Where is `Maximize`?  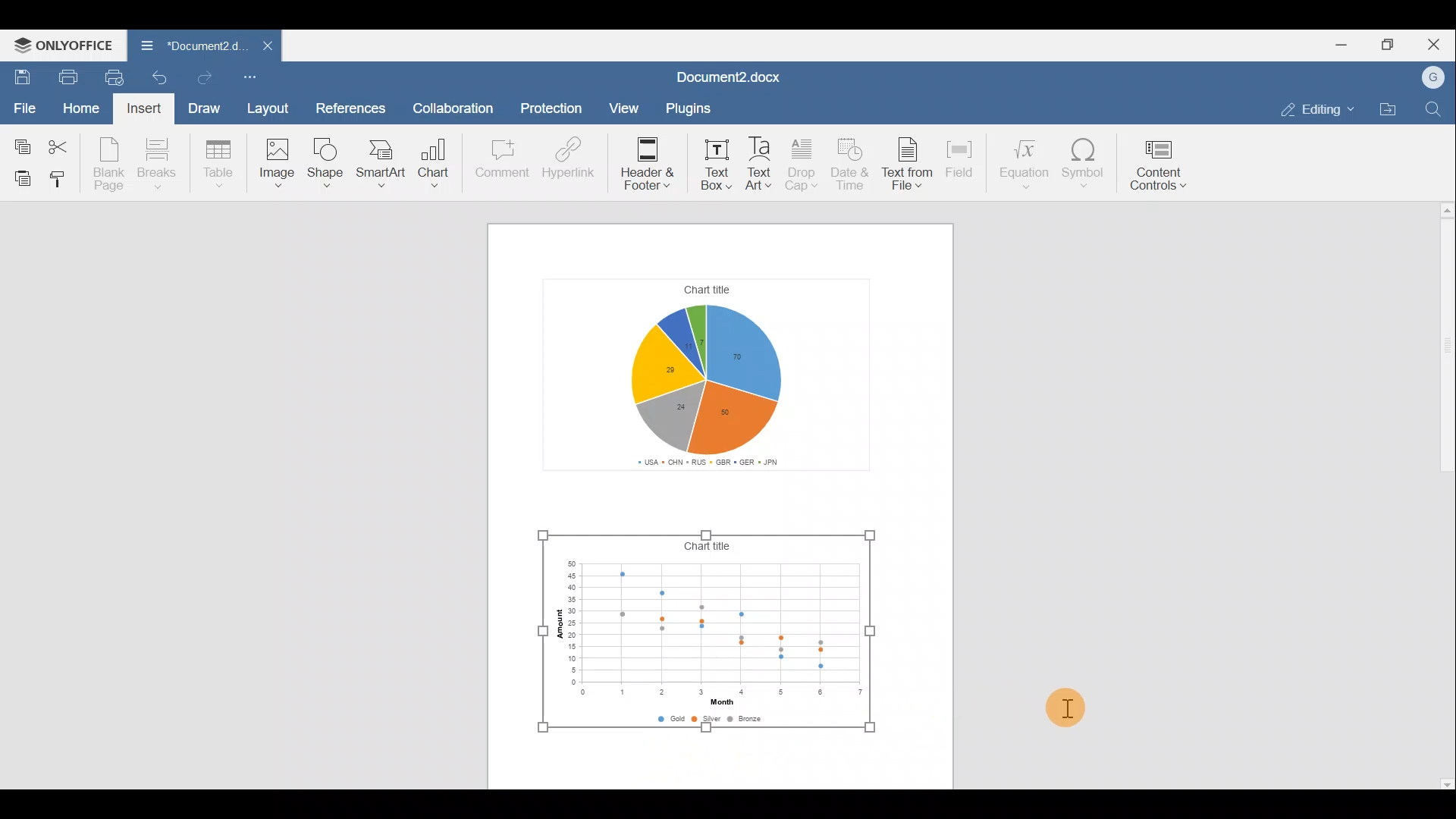
Maximize is located at coordinates (1389, 45).